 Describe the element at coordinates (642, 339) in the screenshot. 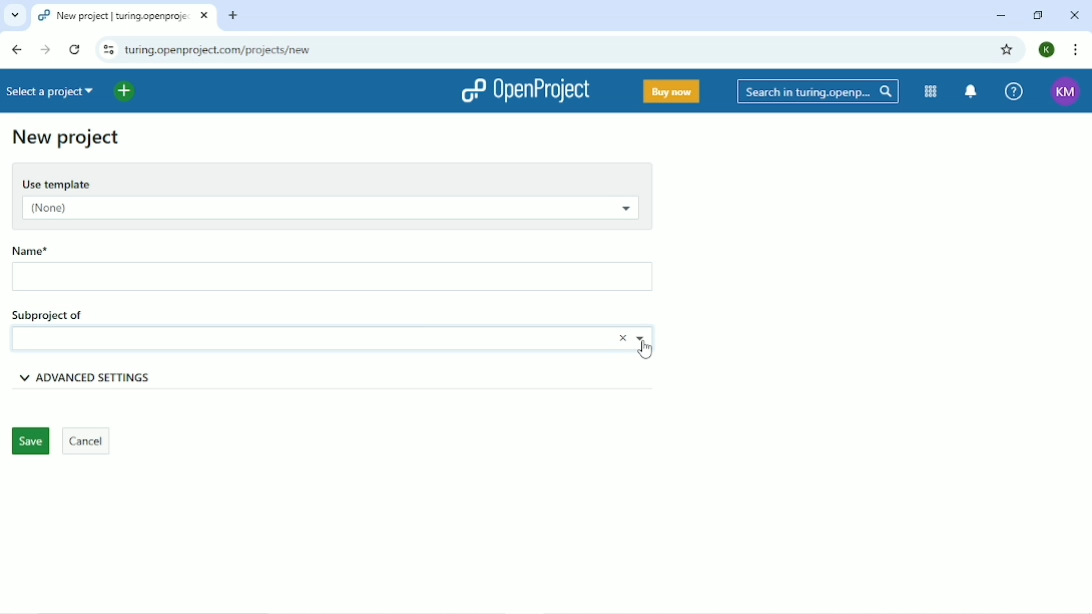

I see `Choose` at that location.